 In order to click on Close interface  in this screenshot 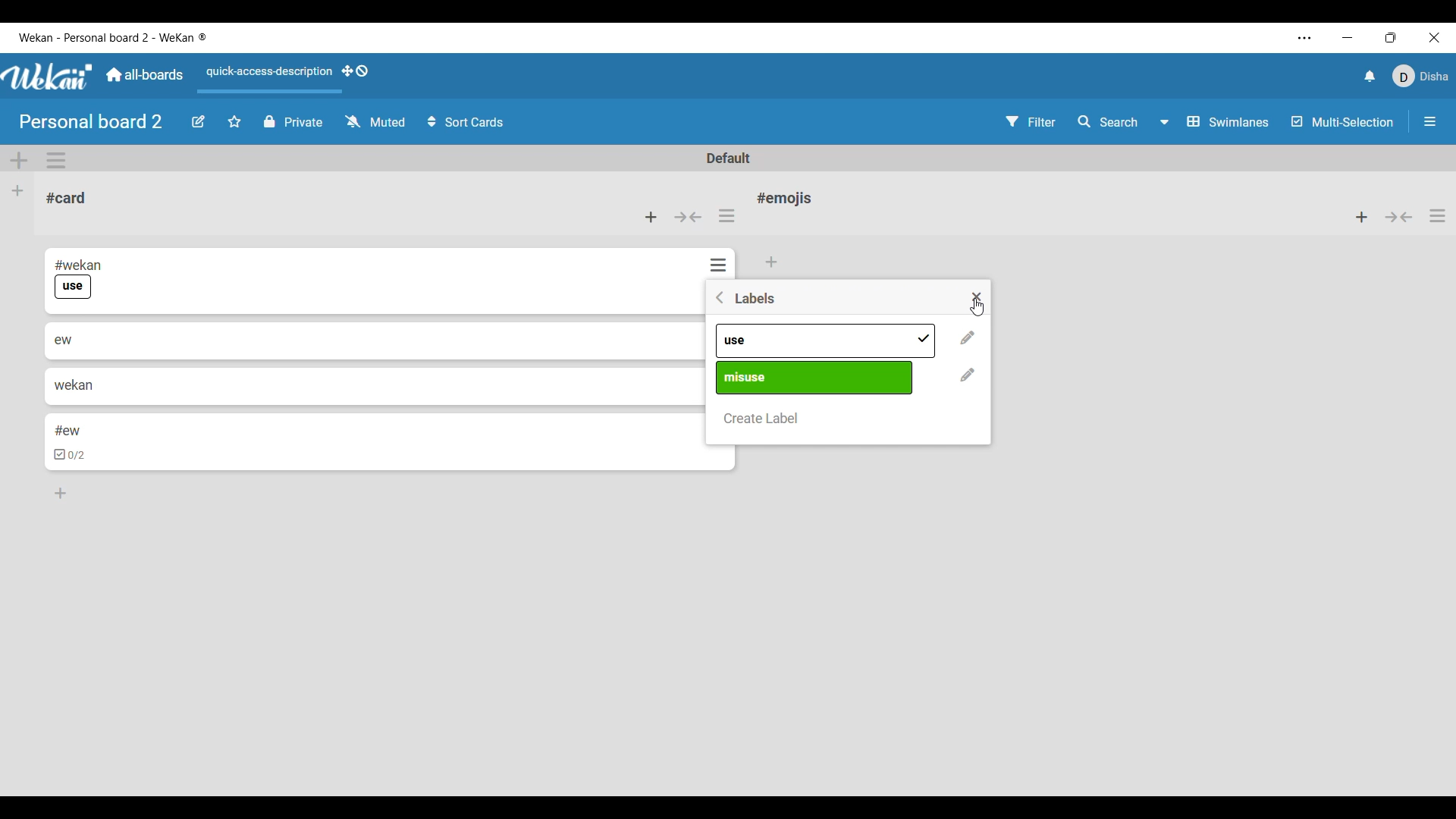, I will do `click(1435, 37)`.